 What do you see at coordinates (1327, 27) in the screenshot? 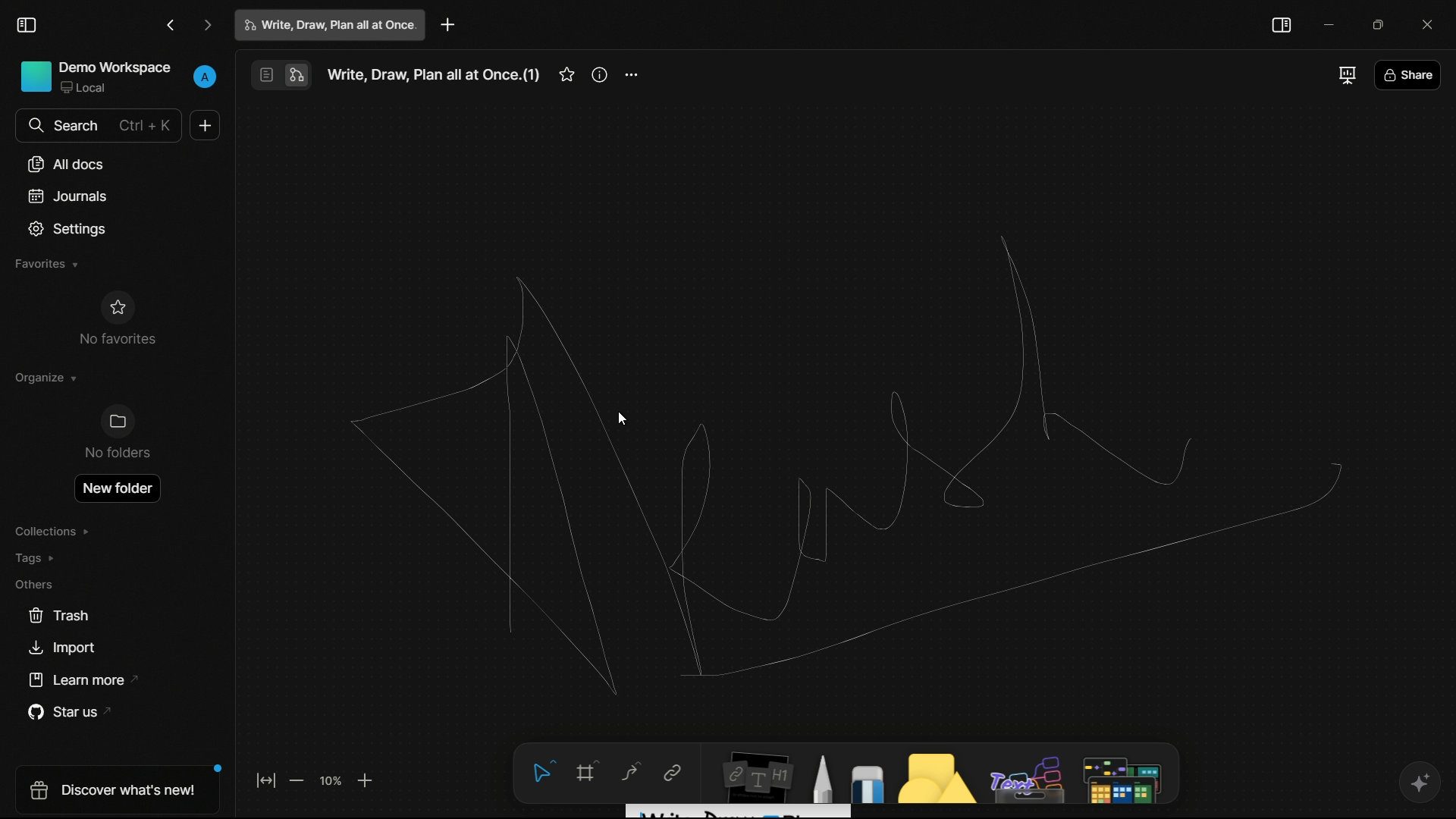
I see `minimize` at bounding box center [1327, 27].